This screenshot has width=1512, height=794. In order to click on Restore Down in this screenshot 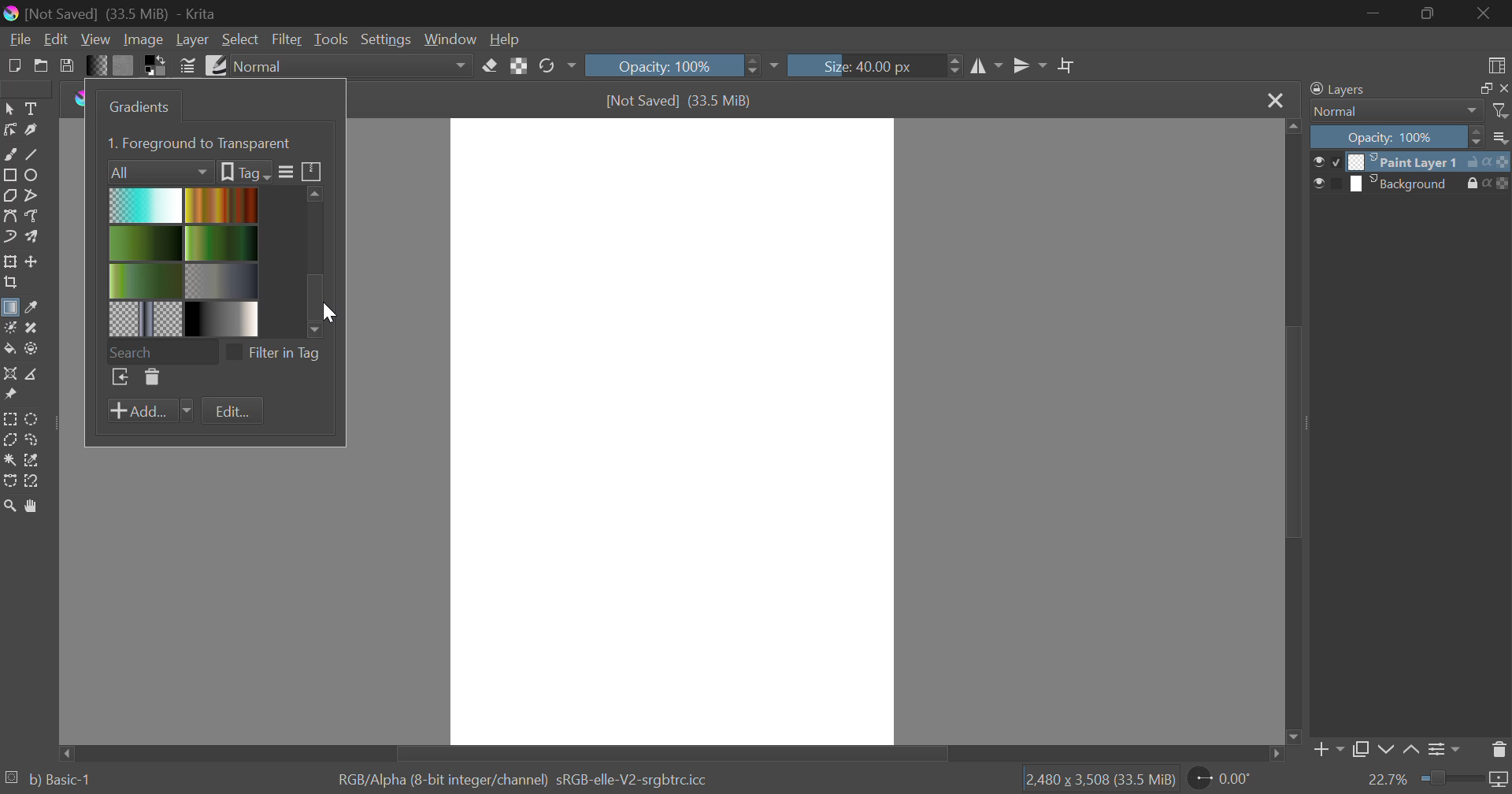, I will do `click(1375, 13)`.